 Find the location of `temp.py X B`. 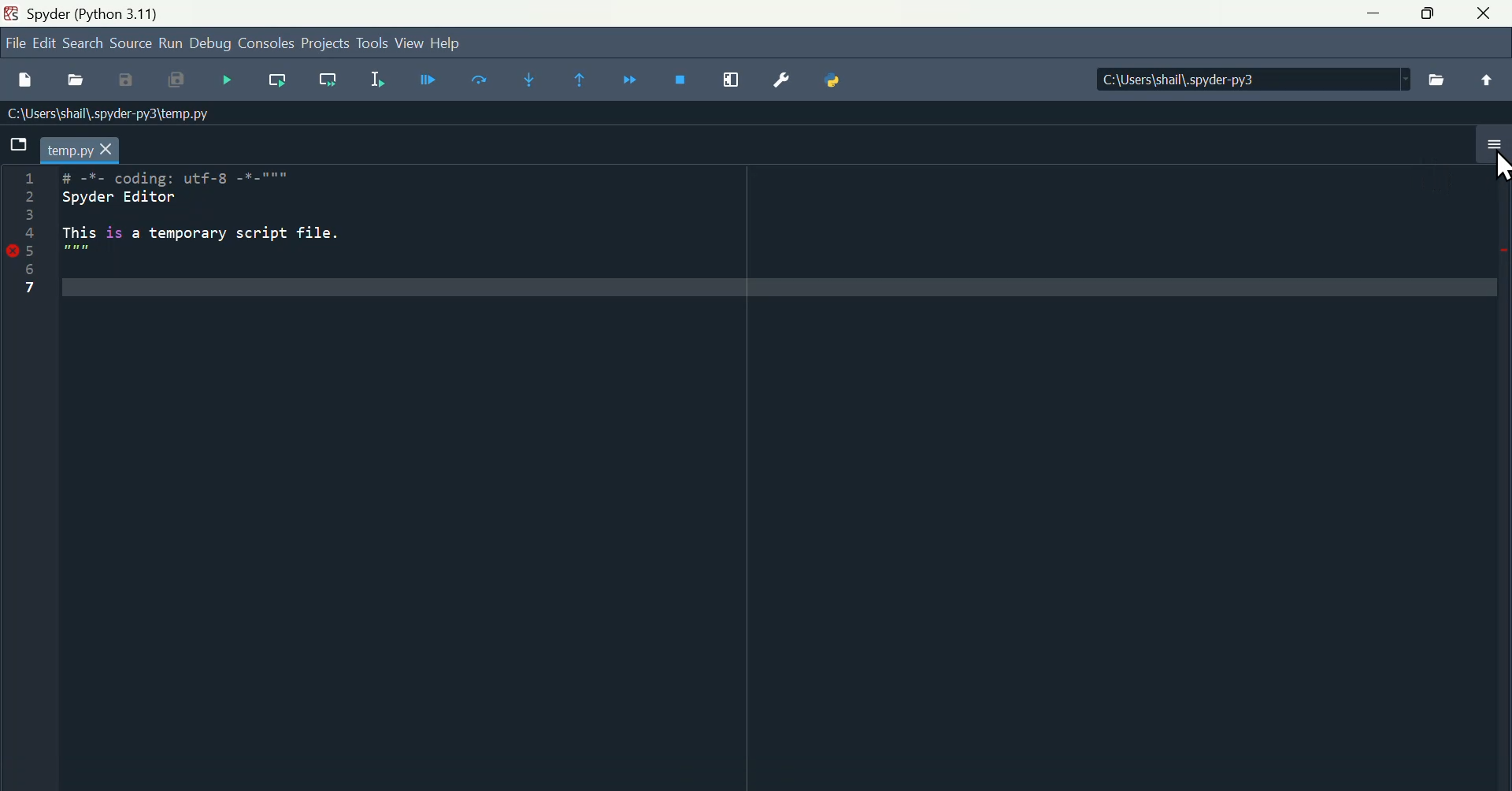

temp.py X B is located at coordinates (89, 148).